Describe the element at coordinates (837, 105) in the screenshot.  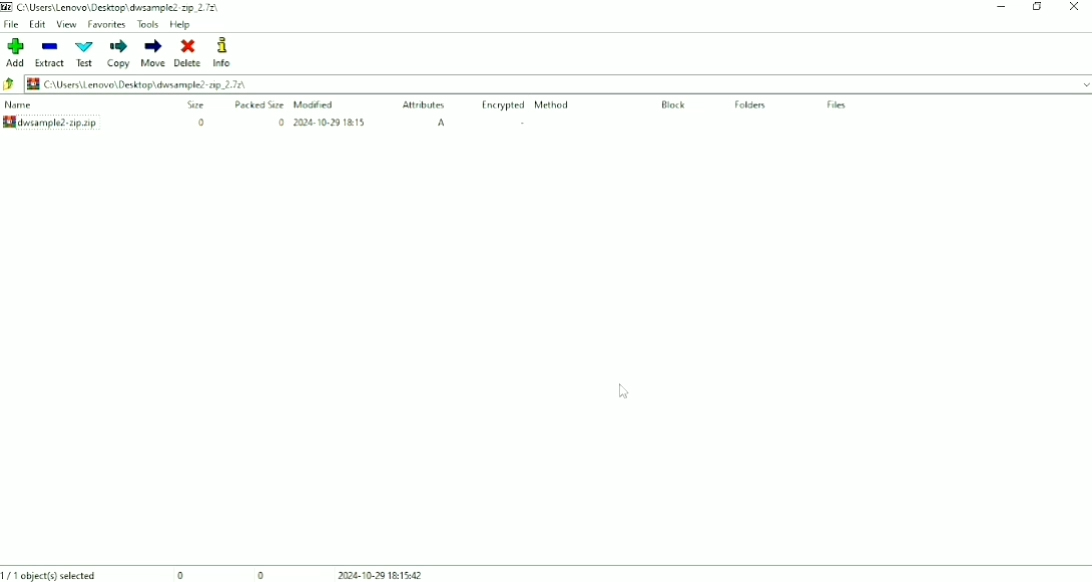
I see `Files` at that location.